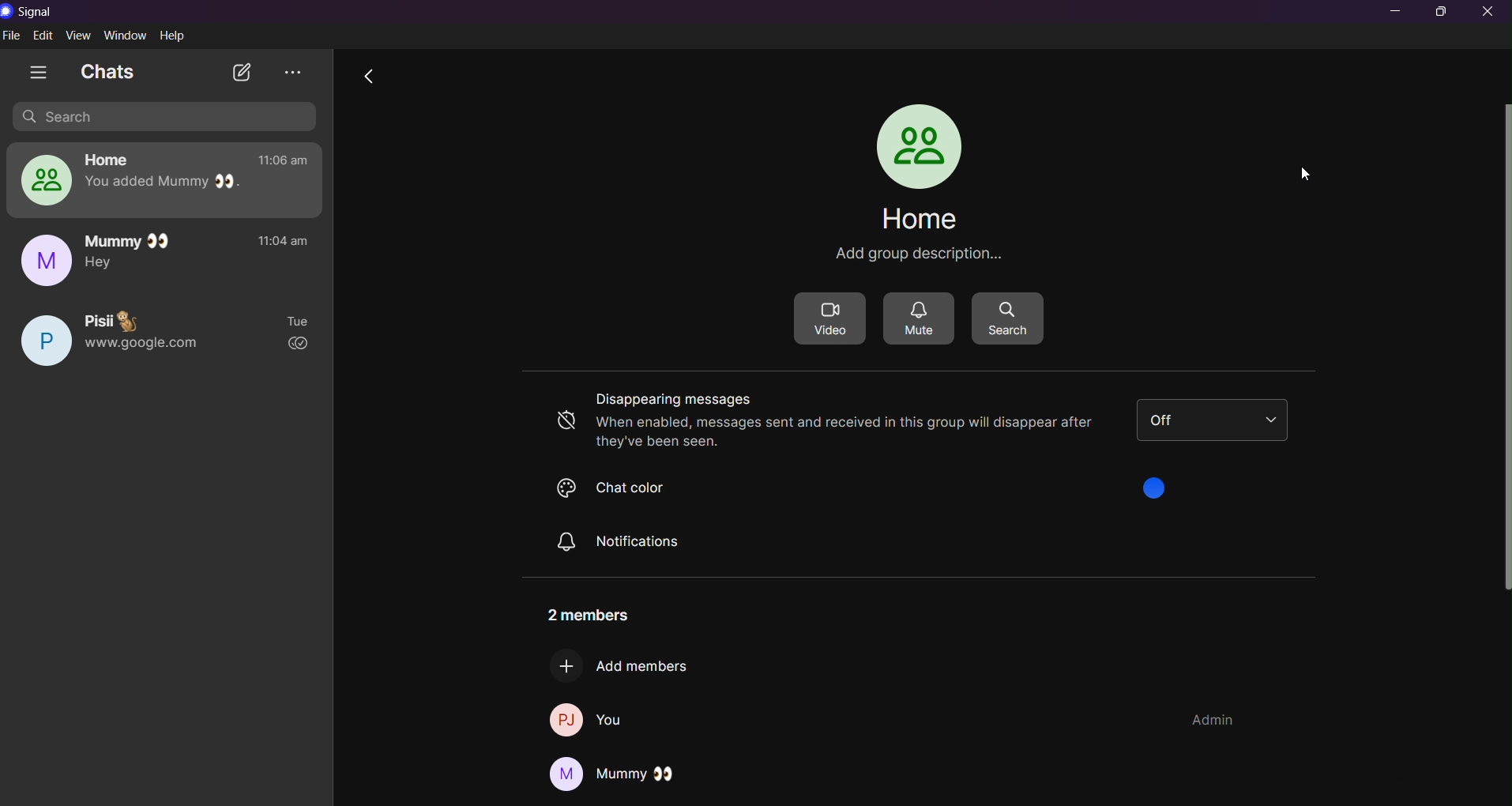 This screenshot has height=806, width=1512. Describe the element at coordinates (920, 220) in the screenshot. I see `group name` at that location.